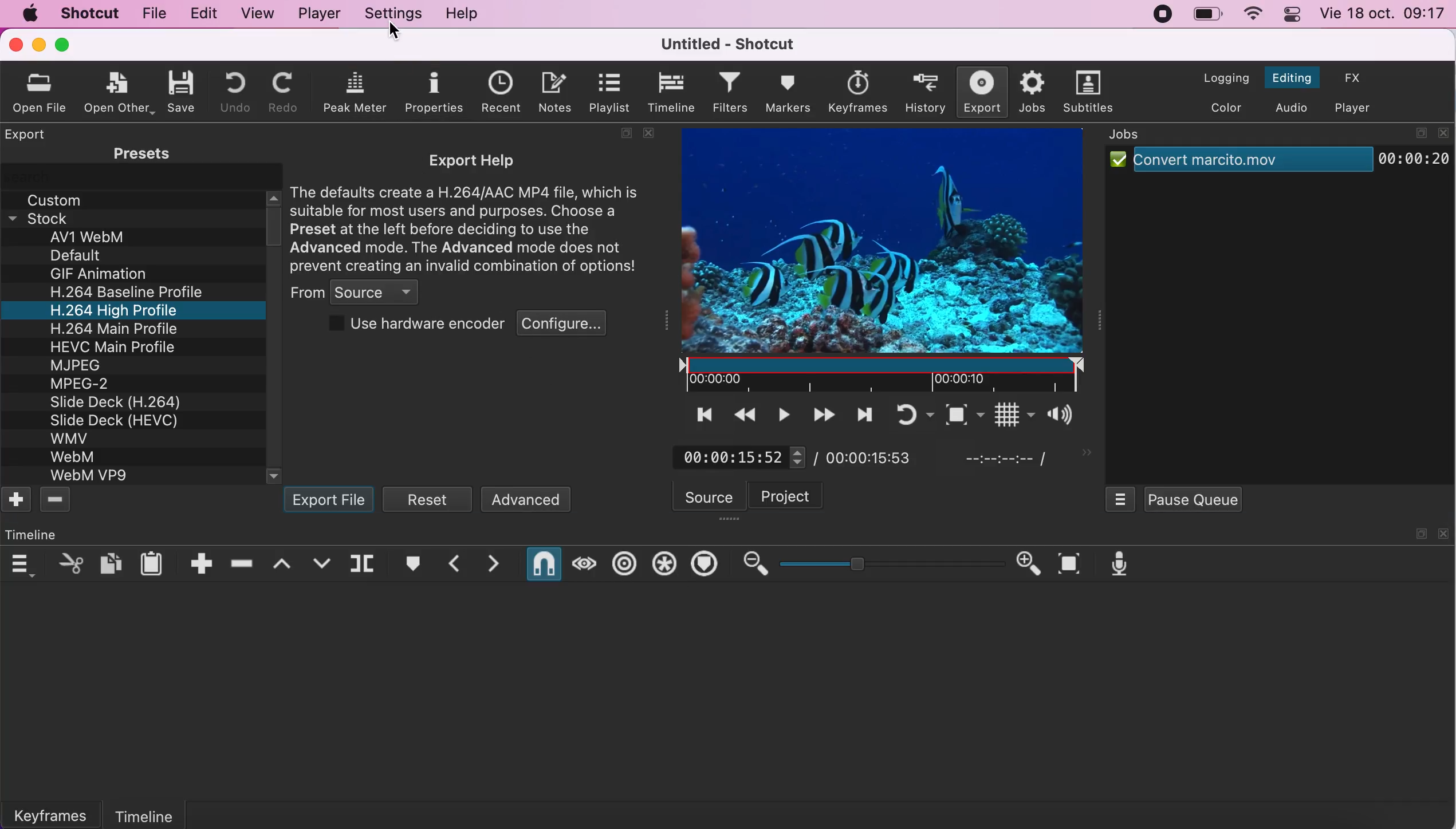  I want to click on ripple, so click(623, 566).